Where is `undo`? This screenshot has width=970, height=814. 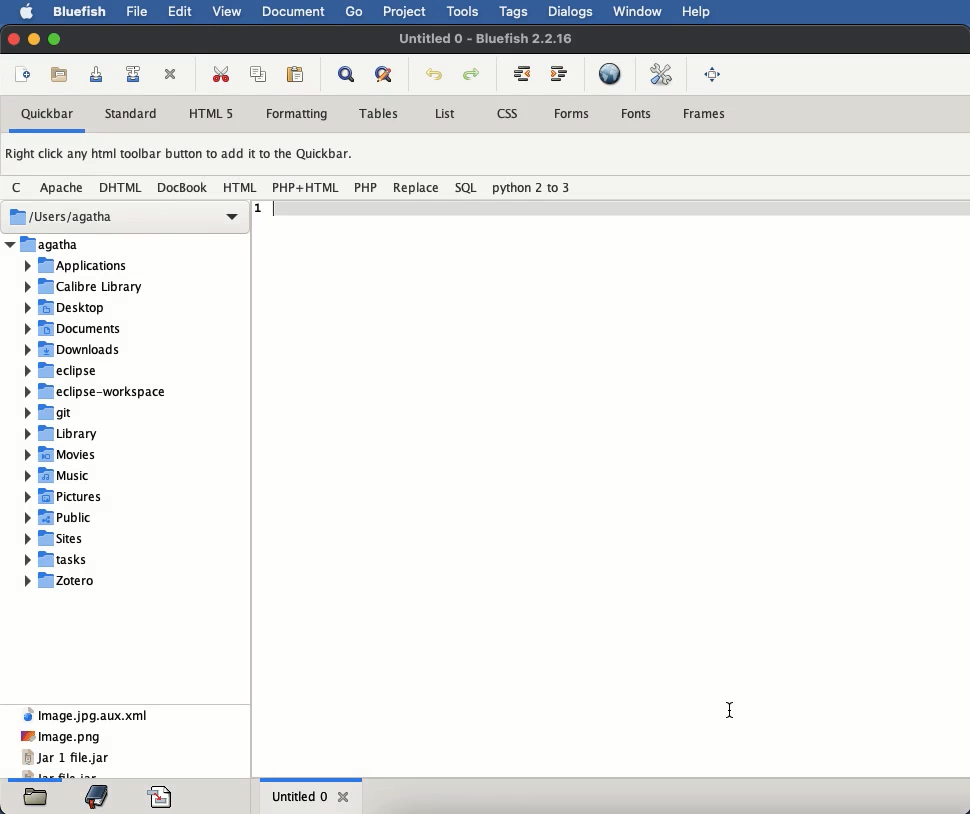 undo is located at coordinates (435, 75).